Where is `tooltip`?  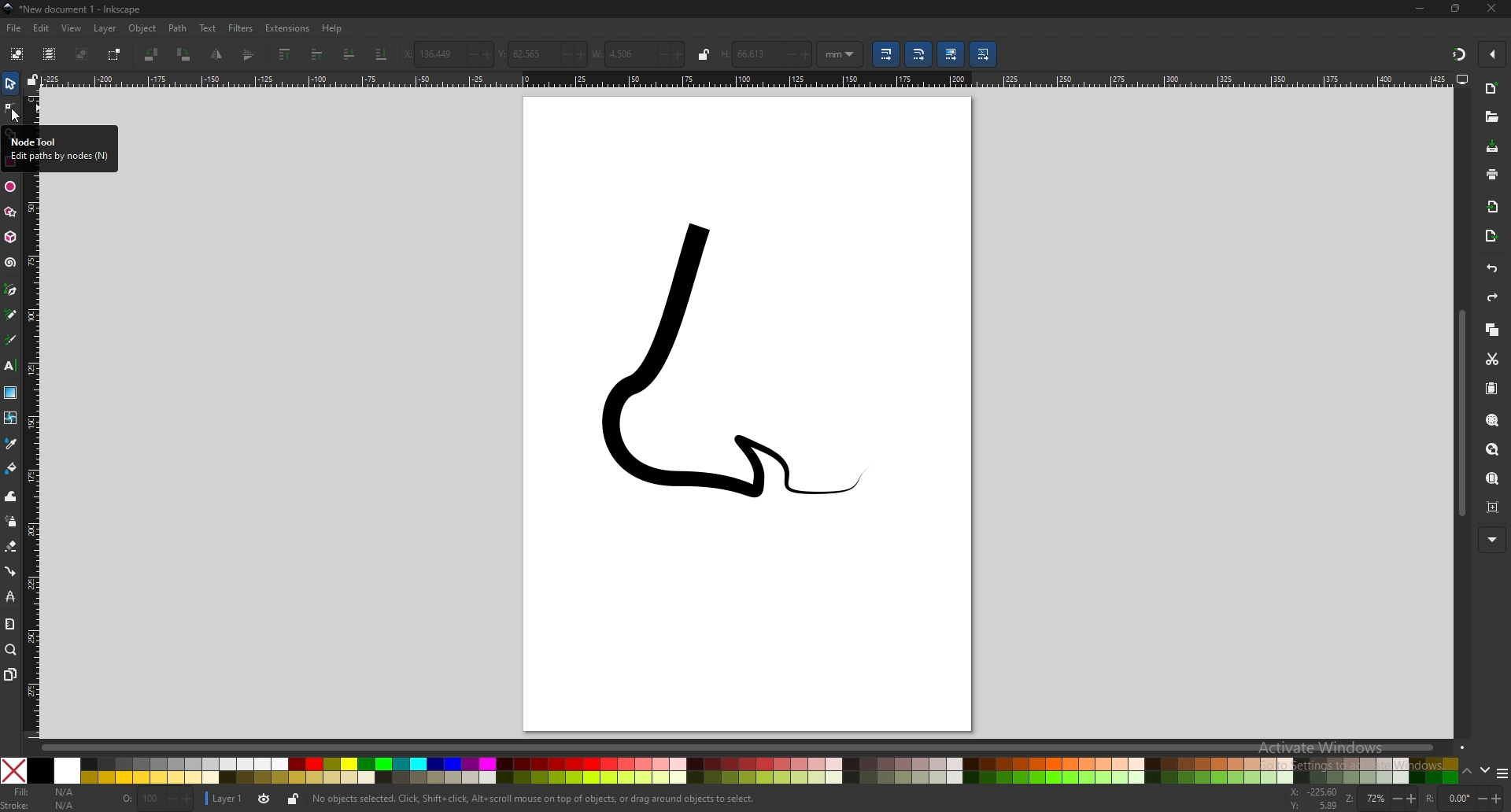
tooltip is located at coordinates (58, 149).